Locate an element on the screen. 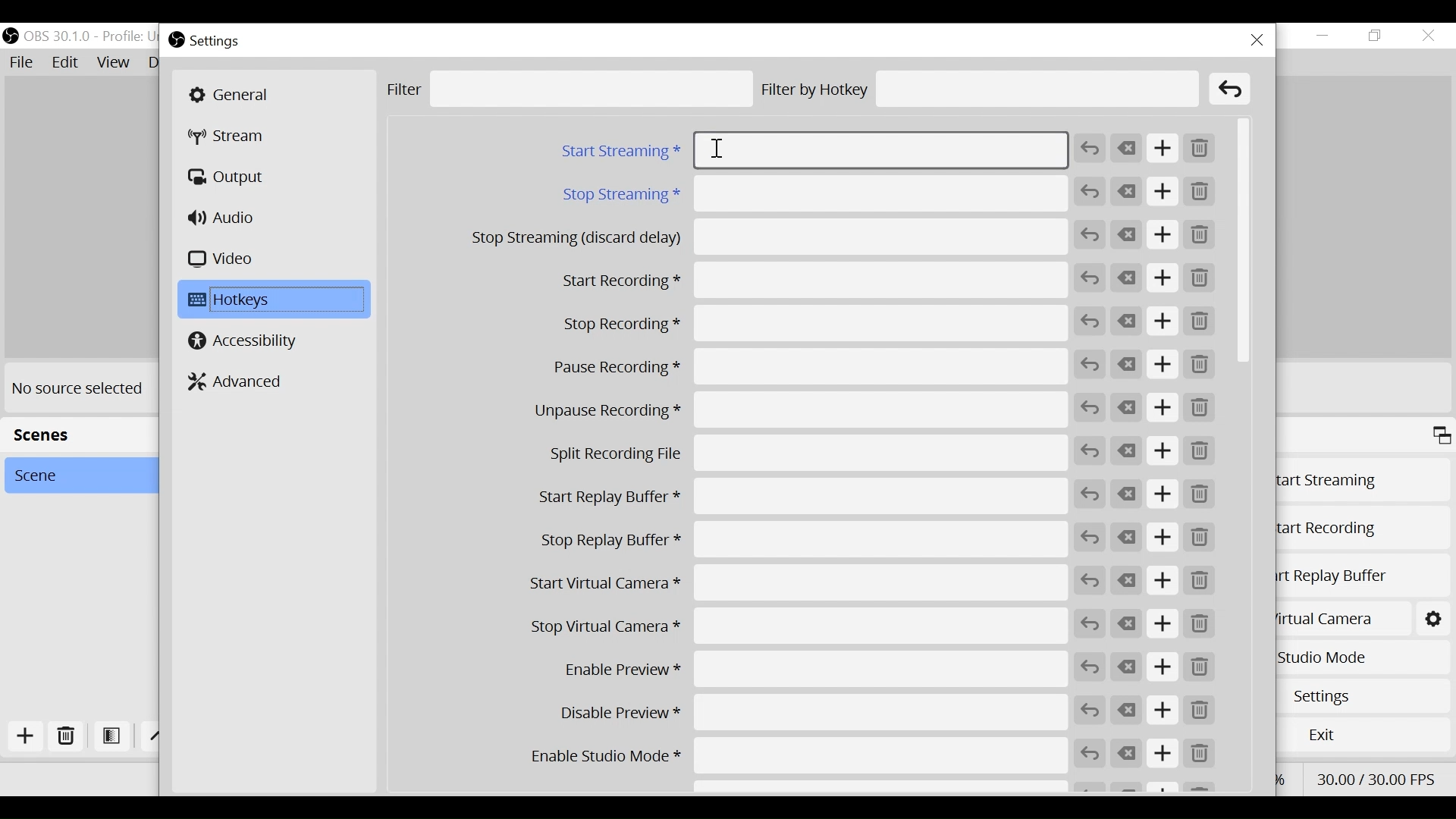  Remove is located at coordinates (1200, 755).